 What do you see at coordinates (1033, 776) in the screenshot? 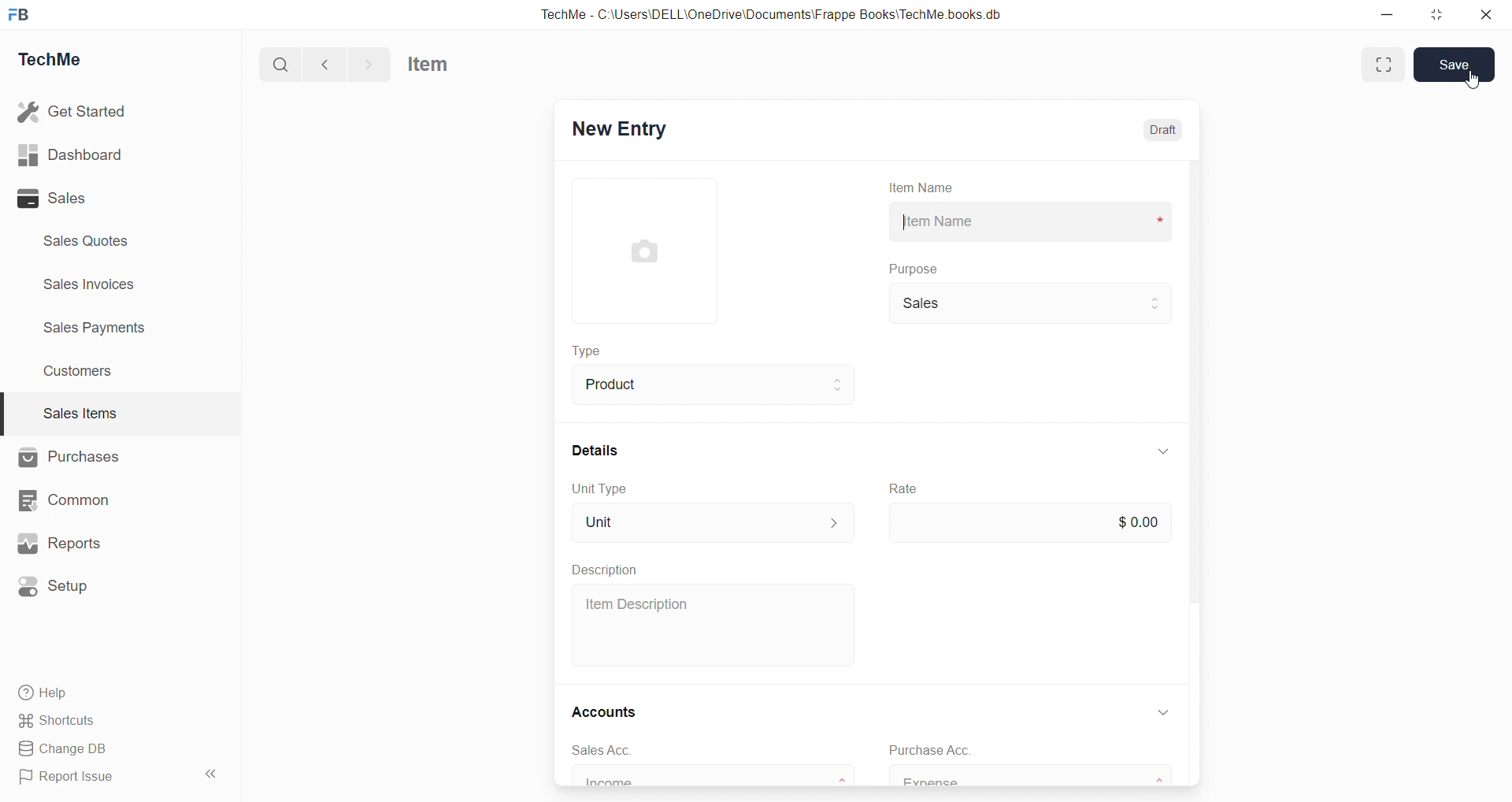
I see `Expense` at bounding box center [1033, 776].